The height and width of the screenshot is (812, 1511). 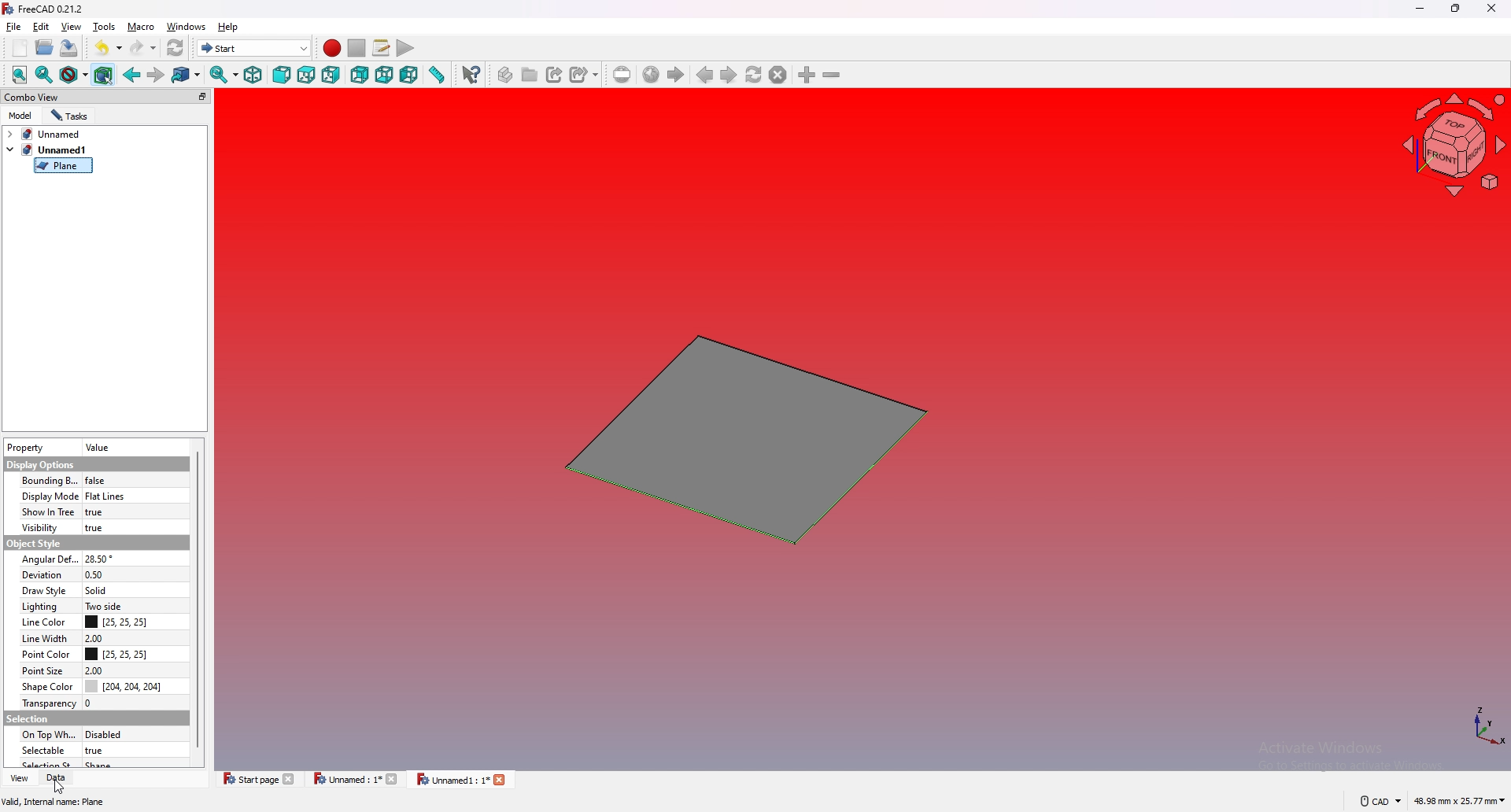 What do you see at coordinates (754, 74) in the screenshot?
I see `refresh webpage` at bounding box center [754, 74].